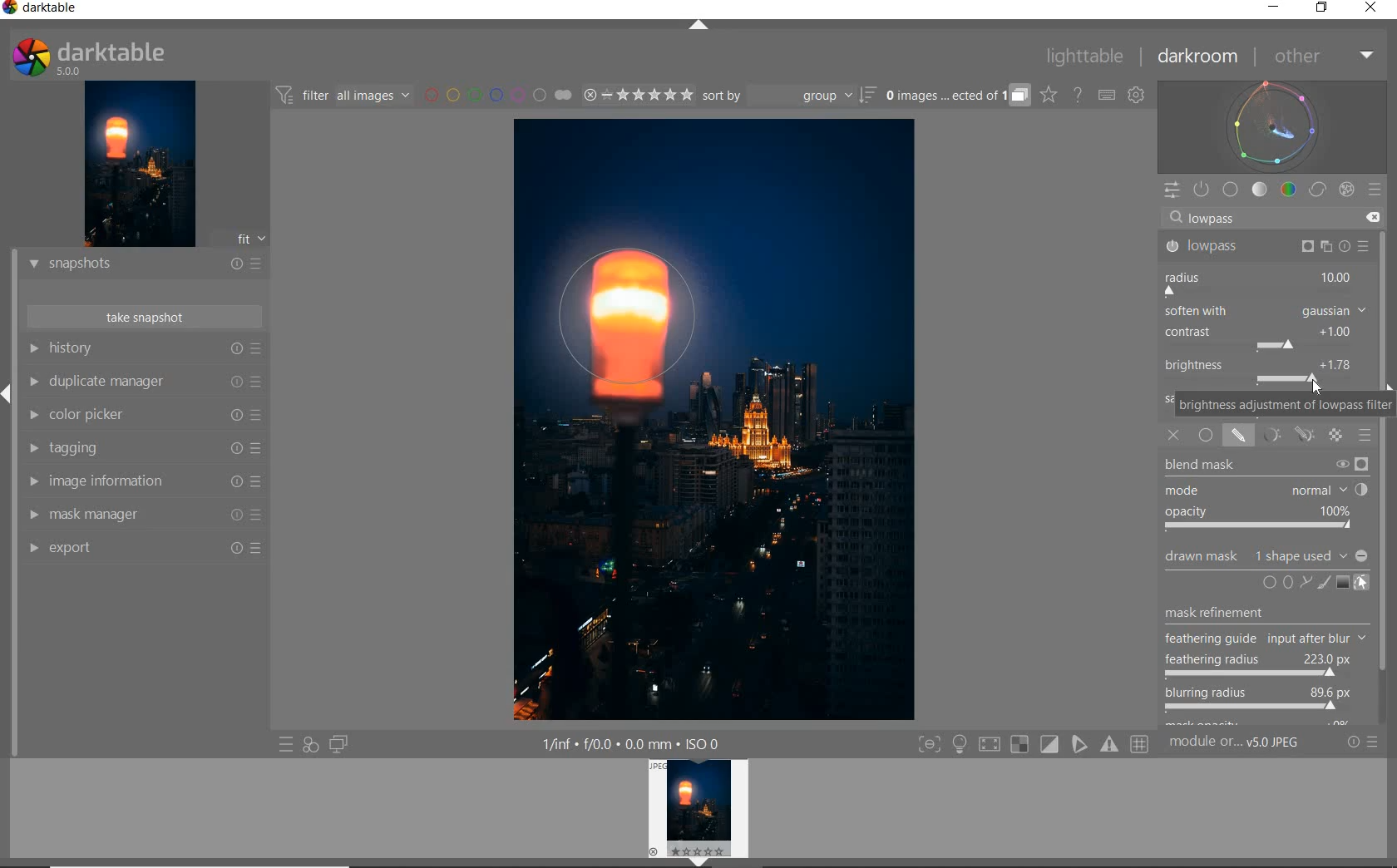 This screenshot has height=868, width=1397. What do you see at coordinates (286, 747) in the screenshot?
I see `QUICK ACCESS TO PRESET` at bounding box center [286, 747].